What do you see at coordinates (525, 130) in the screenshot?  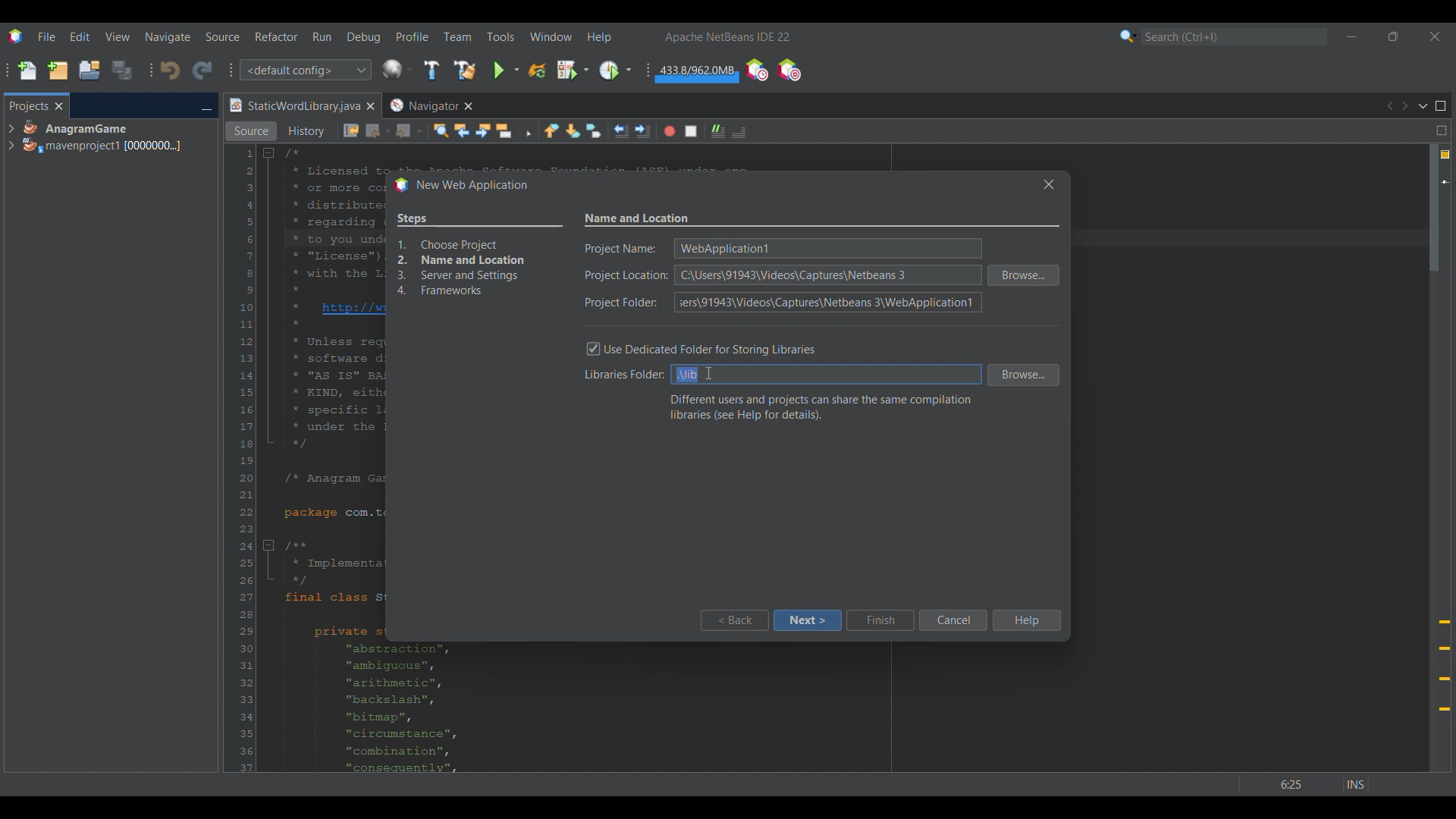 I see `Toggle rectangular selection` at bounding box center [525, 130].